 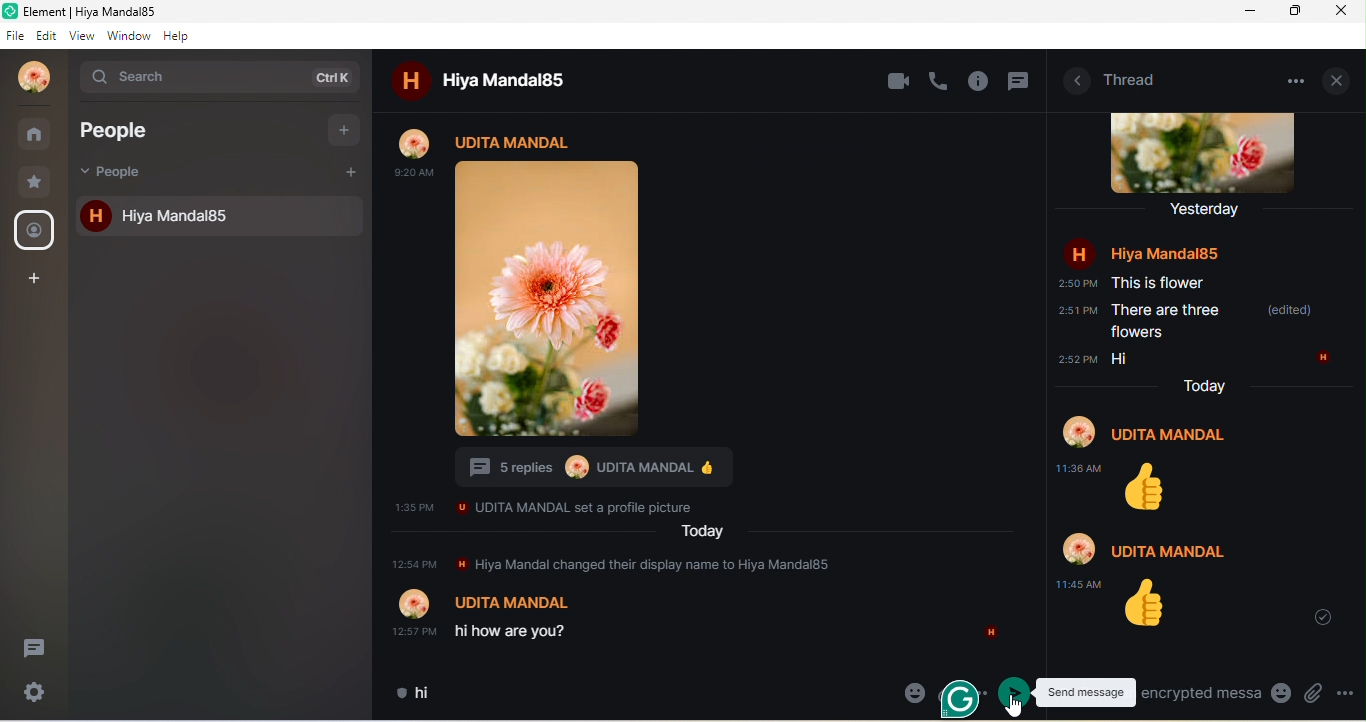 What do you see at coordinates (568, 507) in the screenshot?
I see `UDITA MANDAL set a profile picture` at bounding box center [568, 507].